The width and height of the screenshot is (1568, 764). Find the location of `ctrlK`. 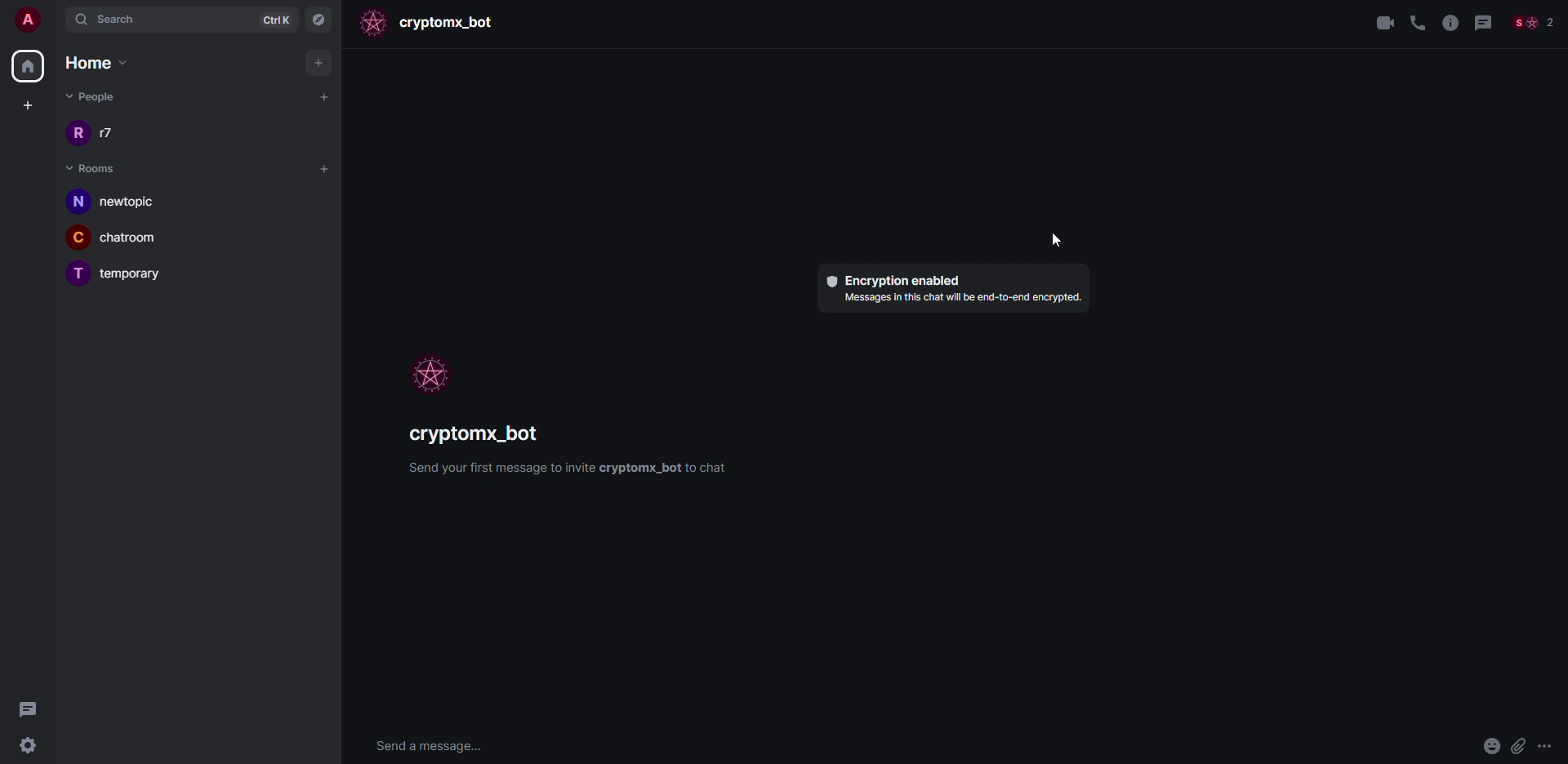

ctrlK is located at coordinates (276, 20).